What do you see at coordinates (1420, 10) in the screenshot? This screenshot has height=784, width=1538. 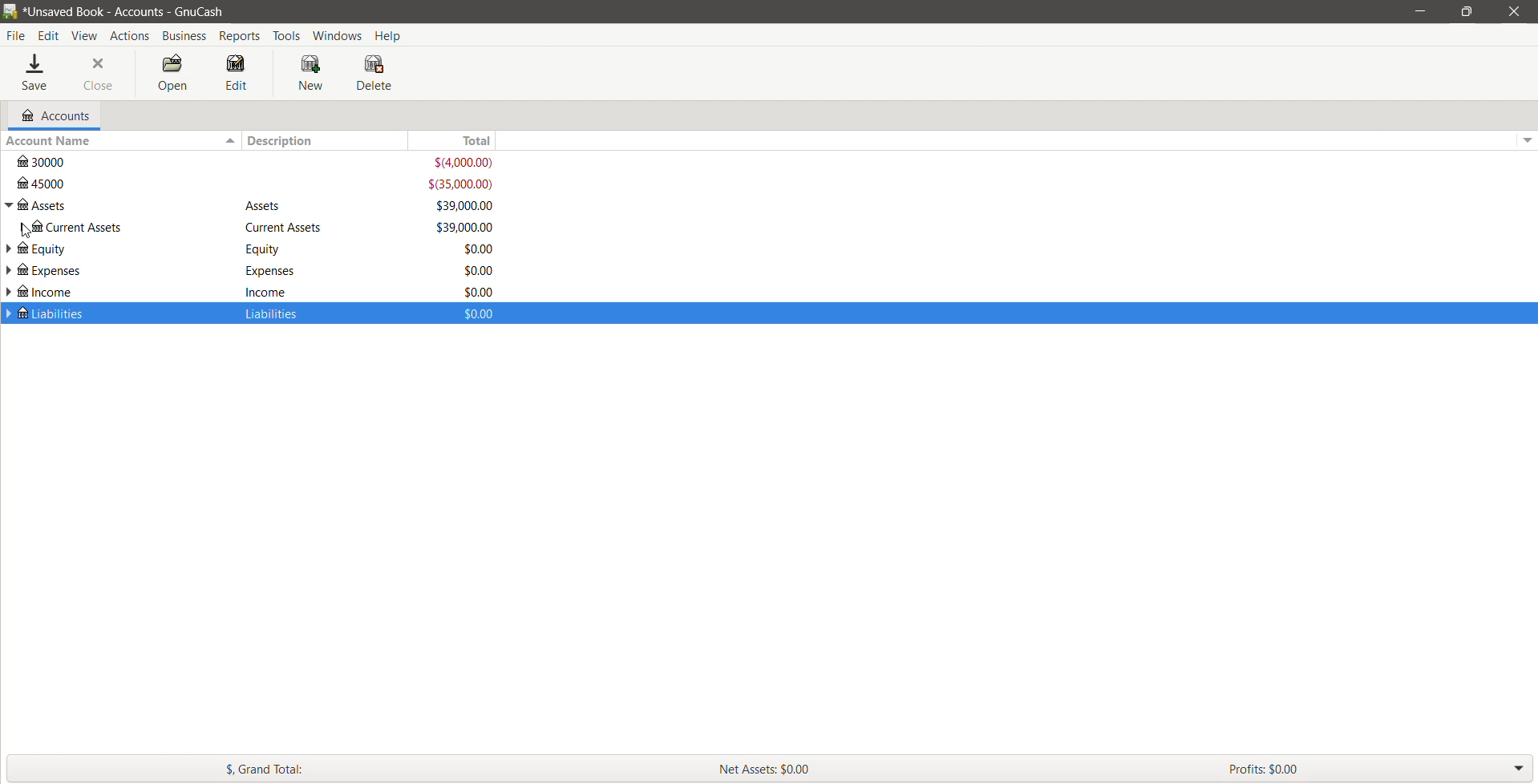 I see `Minimize` at bounding box center [1420, 10].